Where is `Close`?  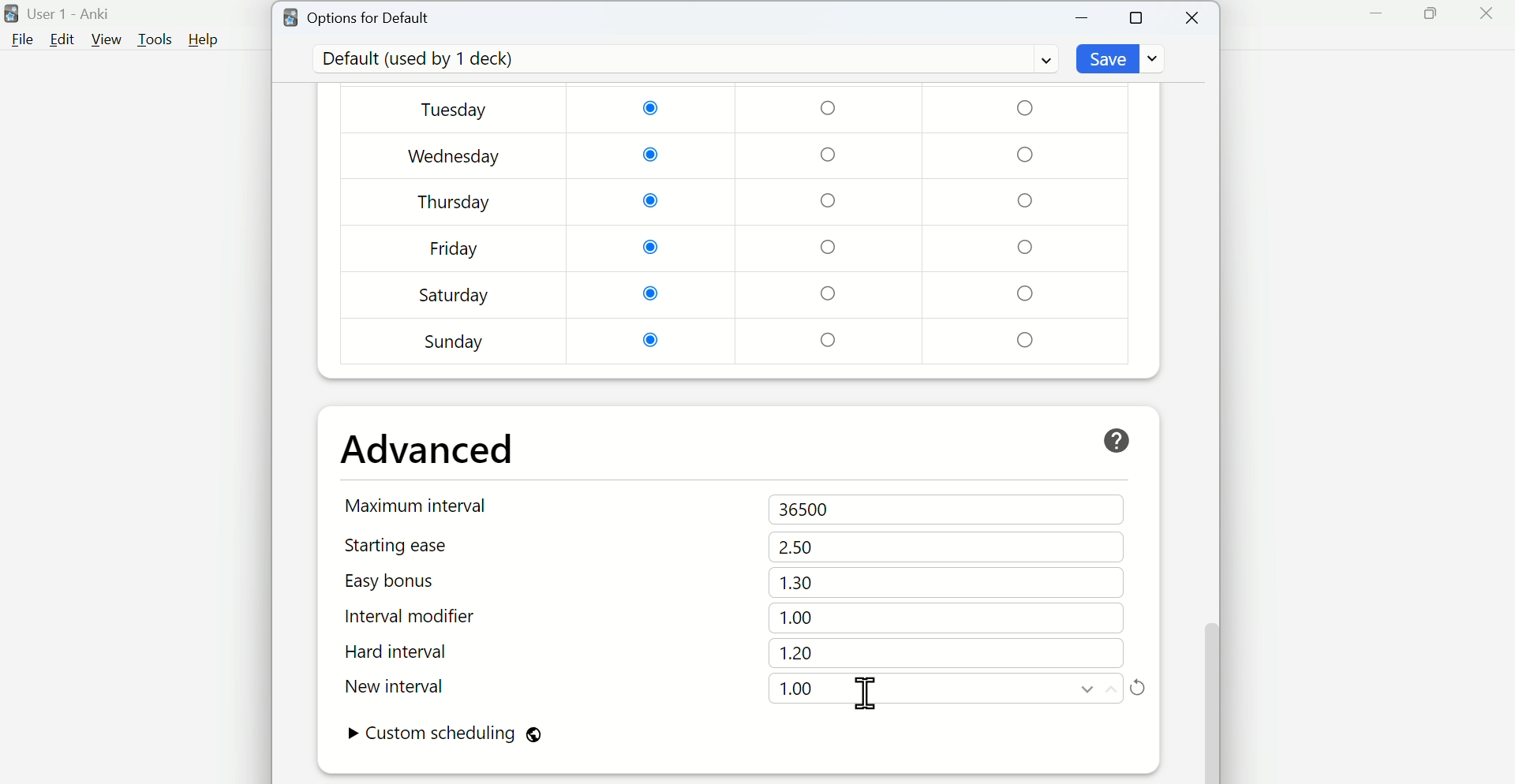 Close is located at coordinates (1194, 18).